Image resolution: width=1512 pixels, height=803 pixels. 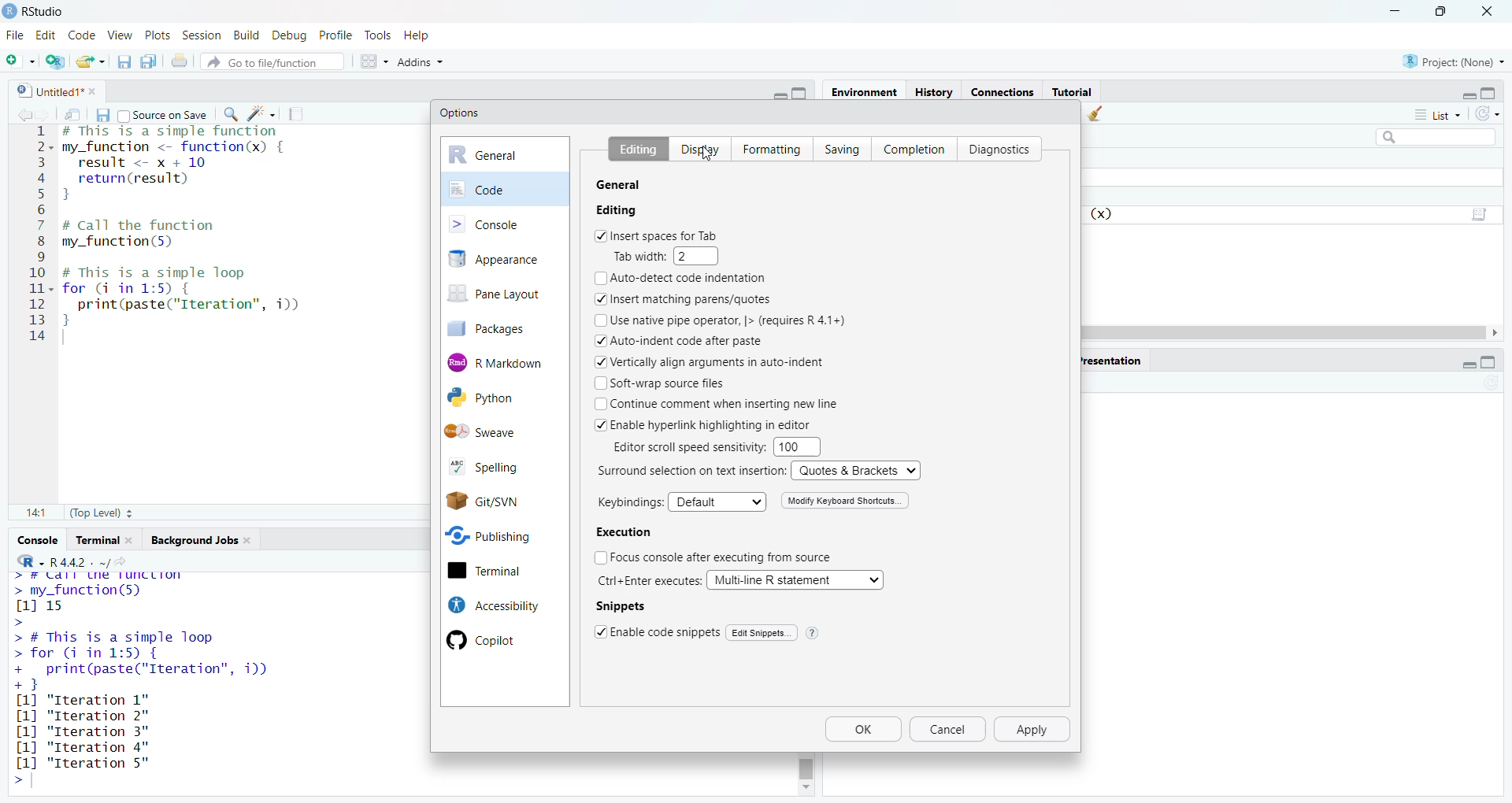 I want to click on minimize, so click(x=1462, y=364).